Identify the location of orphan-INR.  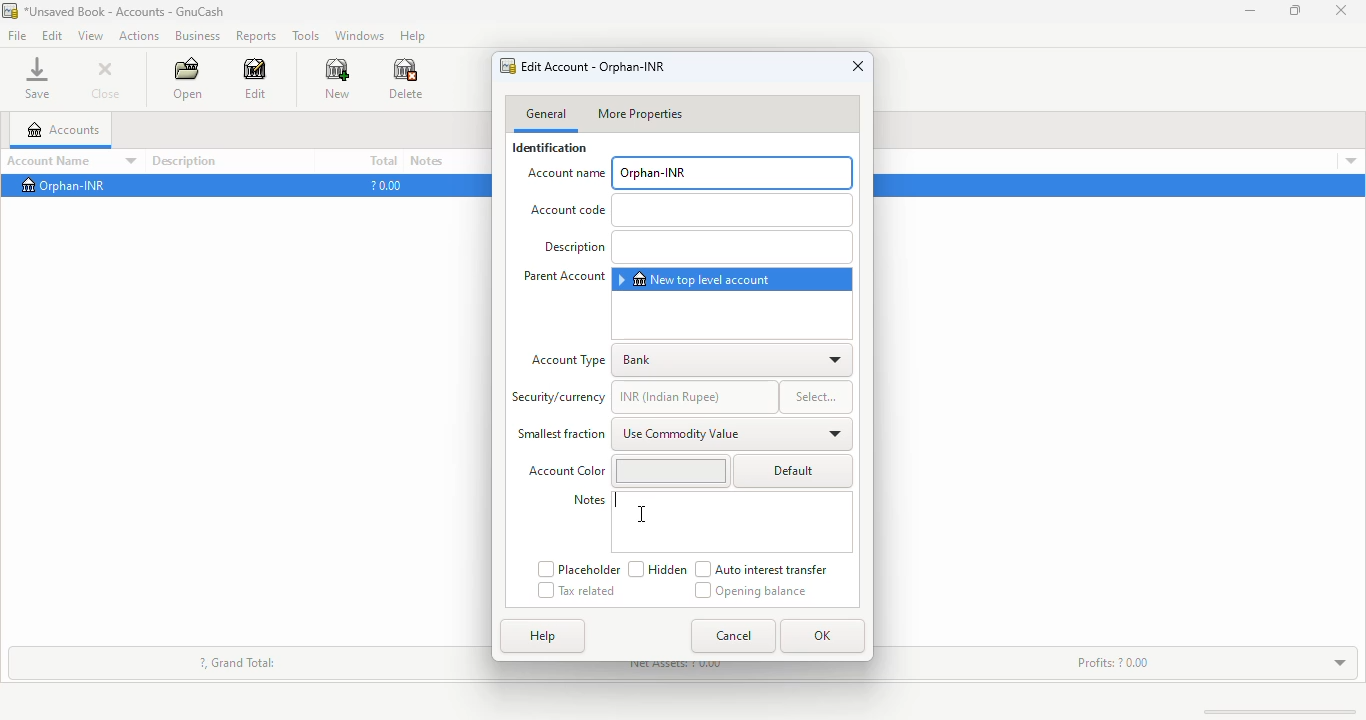
(732, 173).